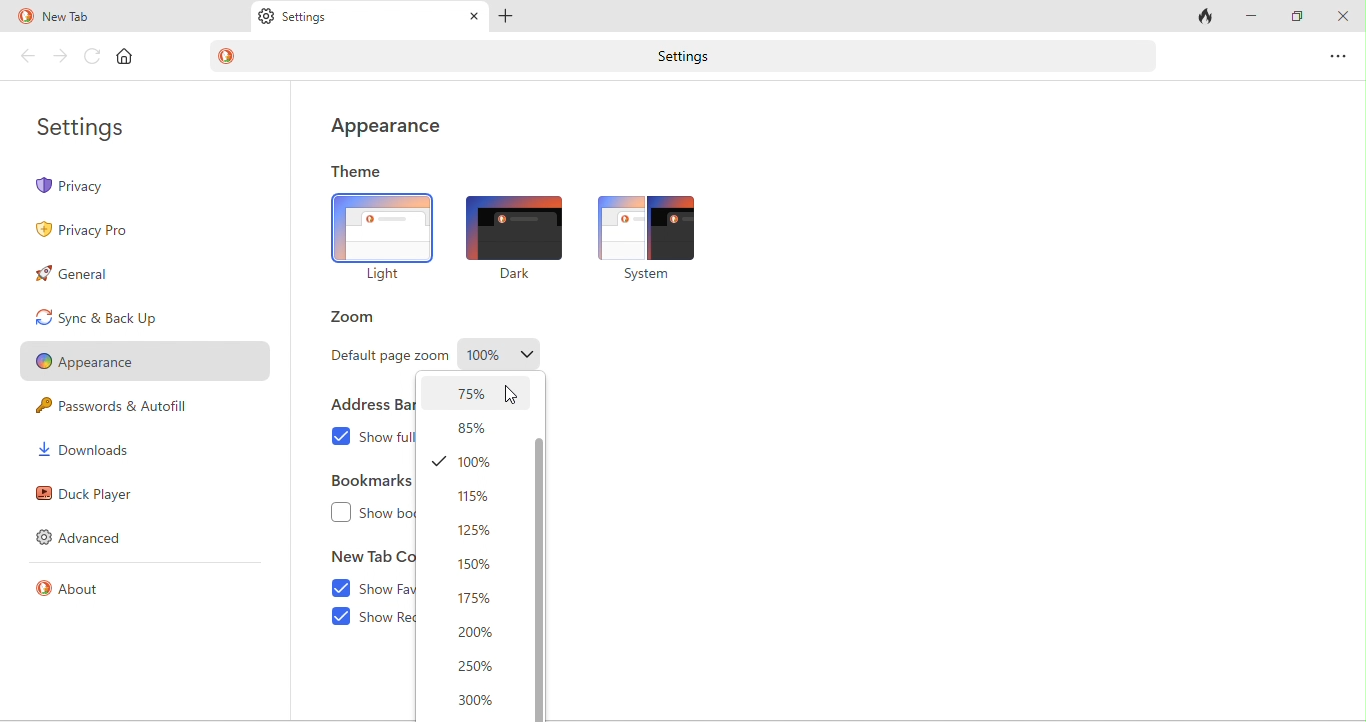  Describe the element at coordinates (516, 222) in the screenshot. I see `dark` at that location.